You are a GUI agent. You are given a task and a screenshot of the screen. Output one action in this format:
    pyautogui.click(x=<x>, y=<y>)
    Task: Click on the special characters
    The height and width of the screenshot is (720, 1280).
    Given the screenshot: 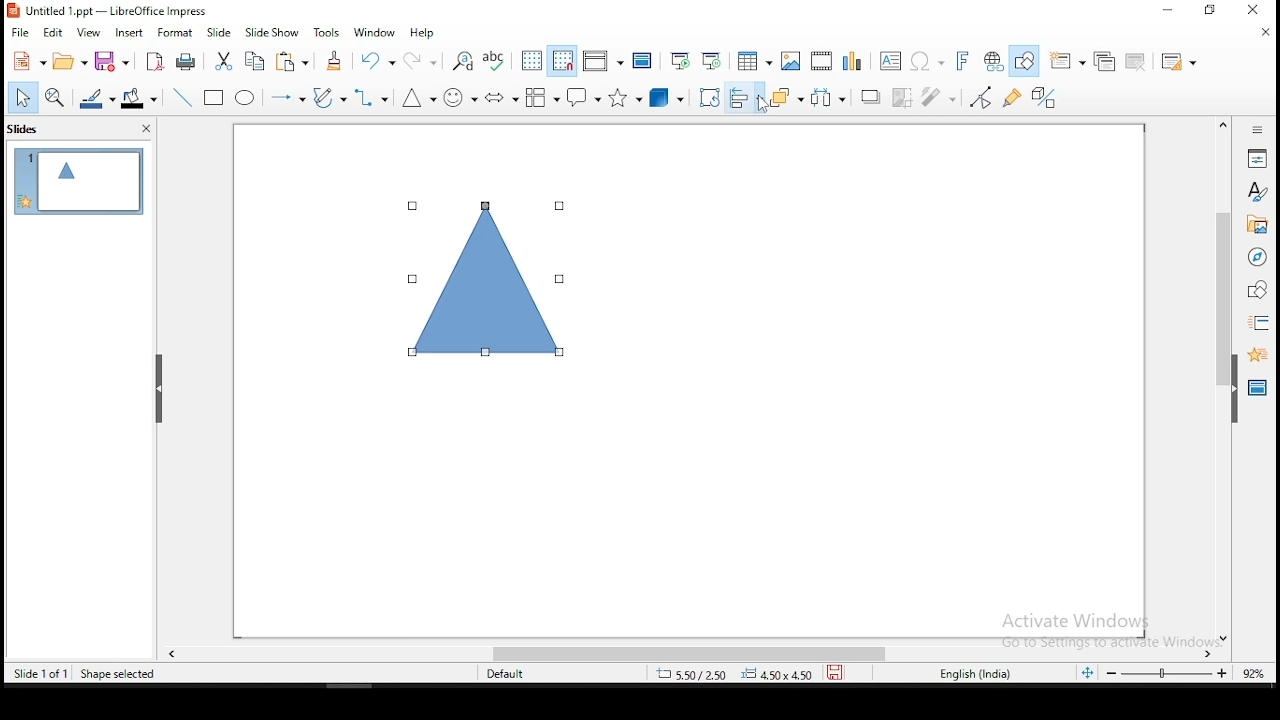 What is the action you would take?
    pyautogui.click(x=925, y=61)
    